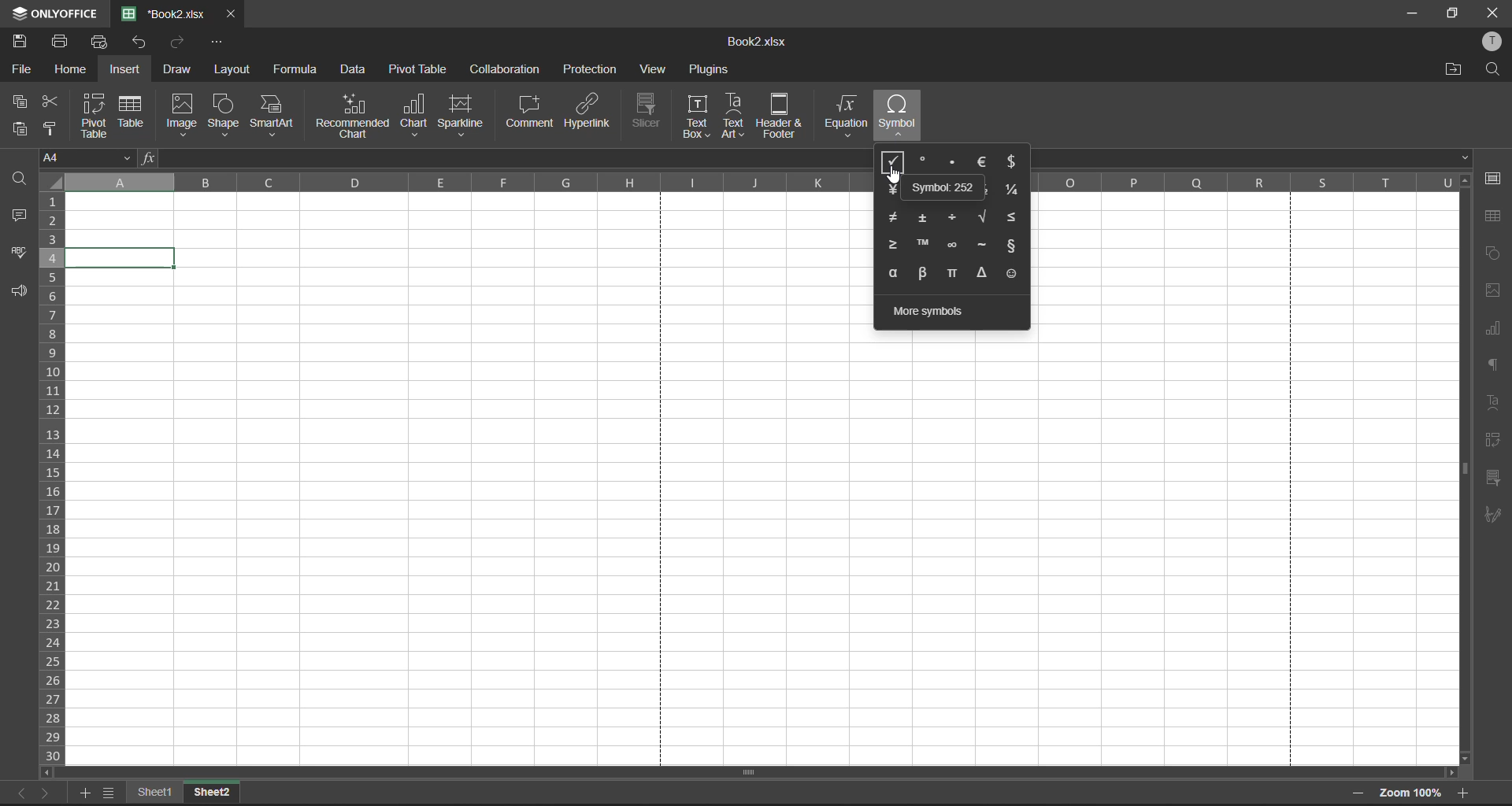  What do you see at coordinates (413, 115) in the screenshot?
I see `chat` at bounding box center [413, 115].